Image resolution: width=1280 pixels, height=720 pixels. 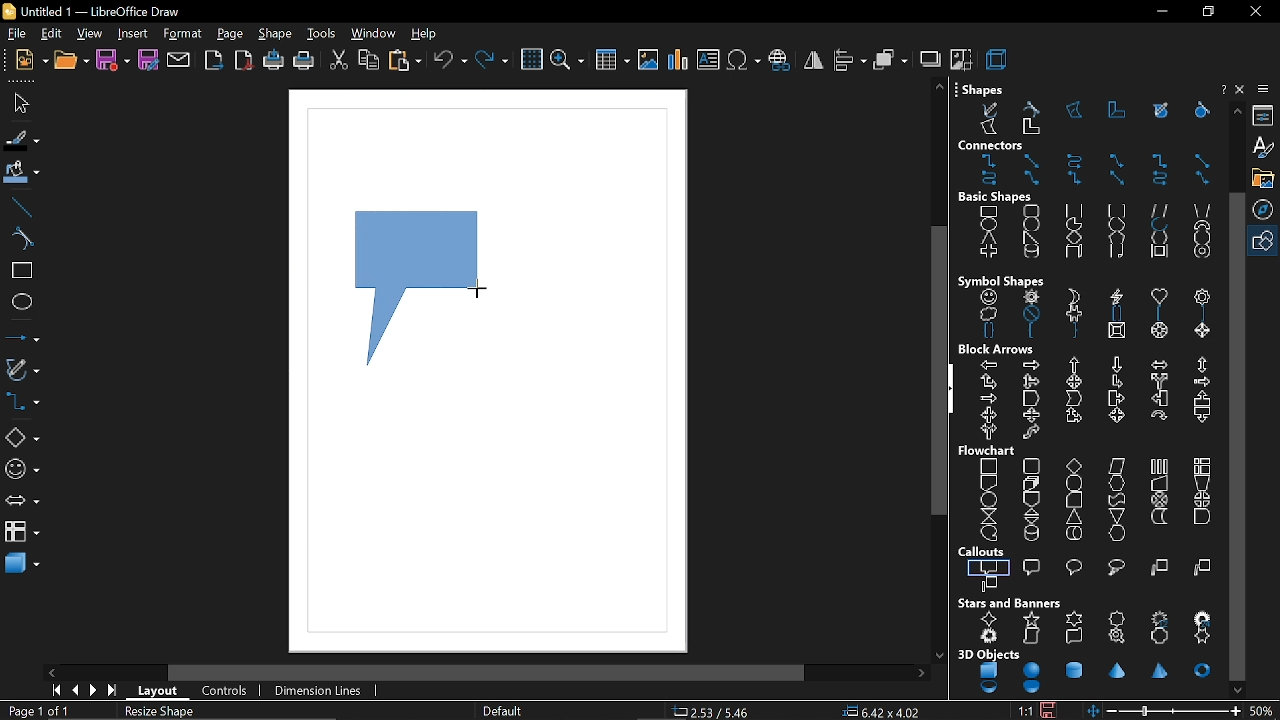 What do you see at coordinates (1161, 110) in the screenshot?
I see `free form line filled` at bounding box center [1161, 110].